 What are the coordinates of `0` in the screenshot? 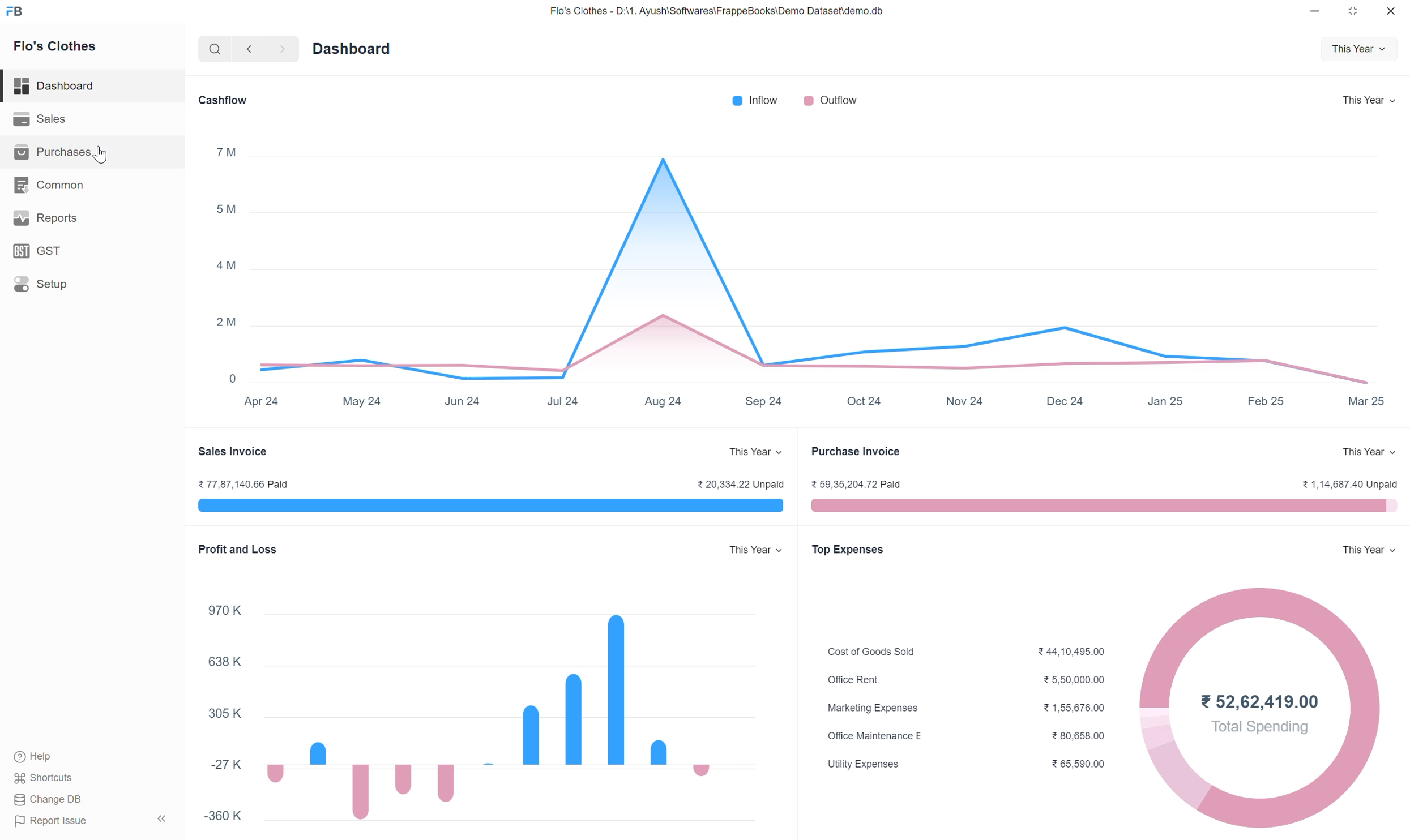 It's located at (233, 378).